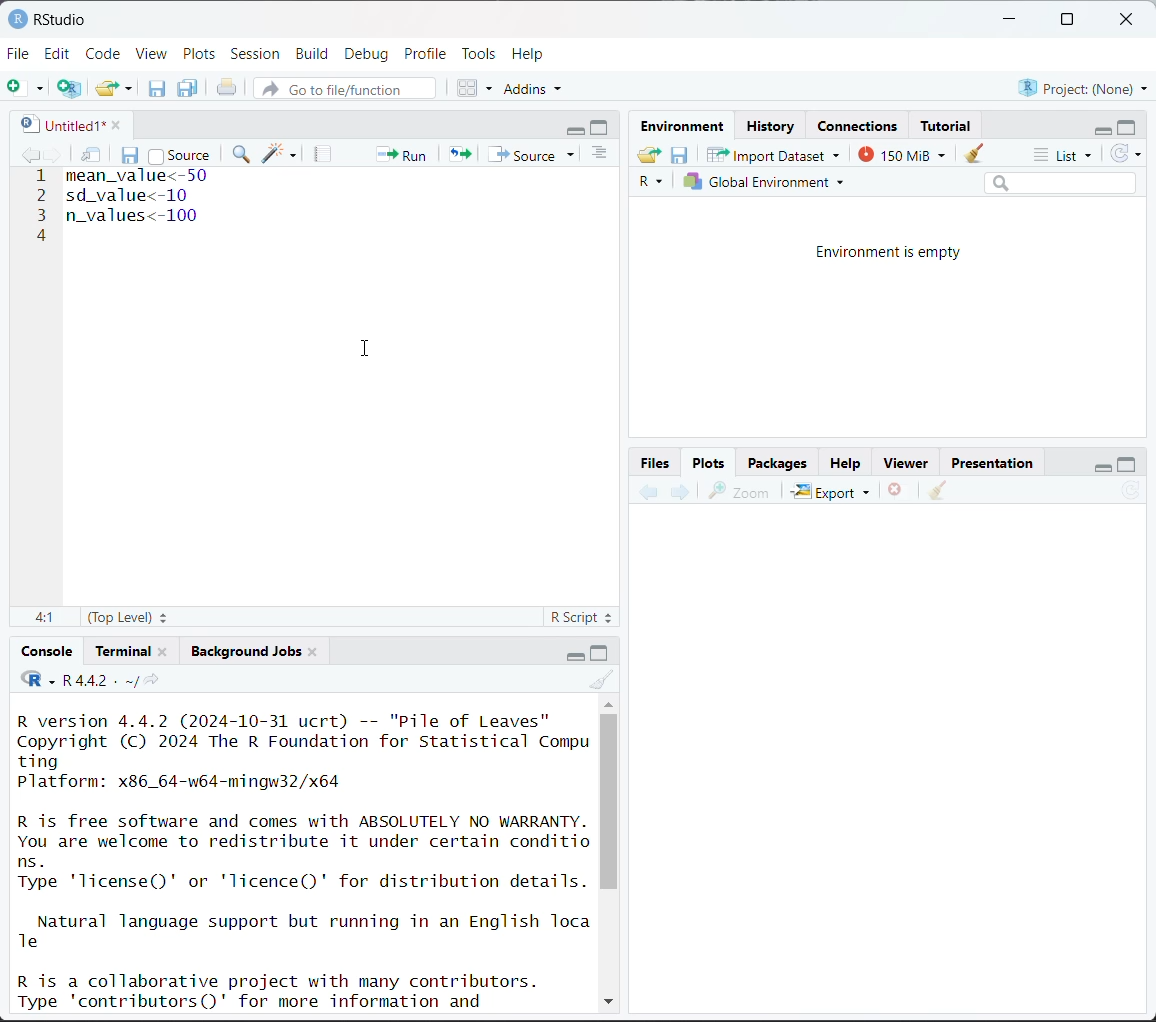 The image size is (1156, 1022). I want to click on list, so click(1066, 156).